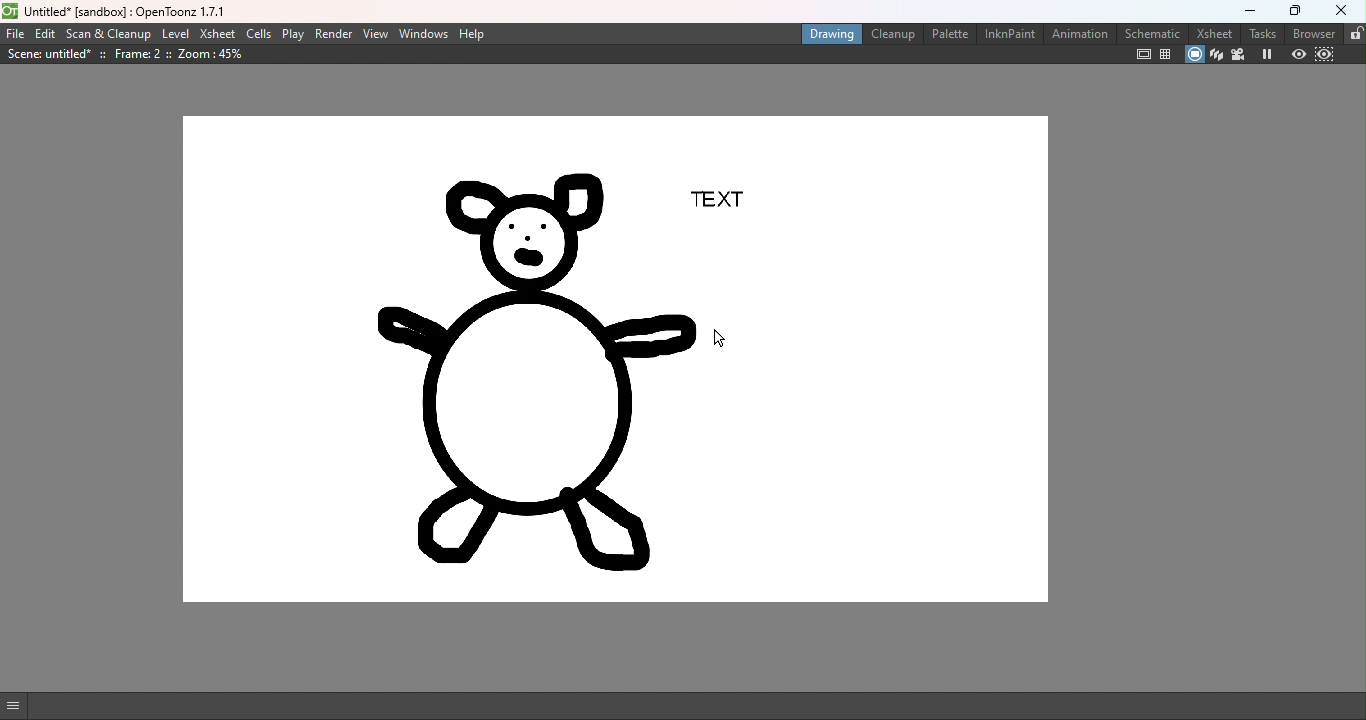  I want to click on Play, so click(295, 34).